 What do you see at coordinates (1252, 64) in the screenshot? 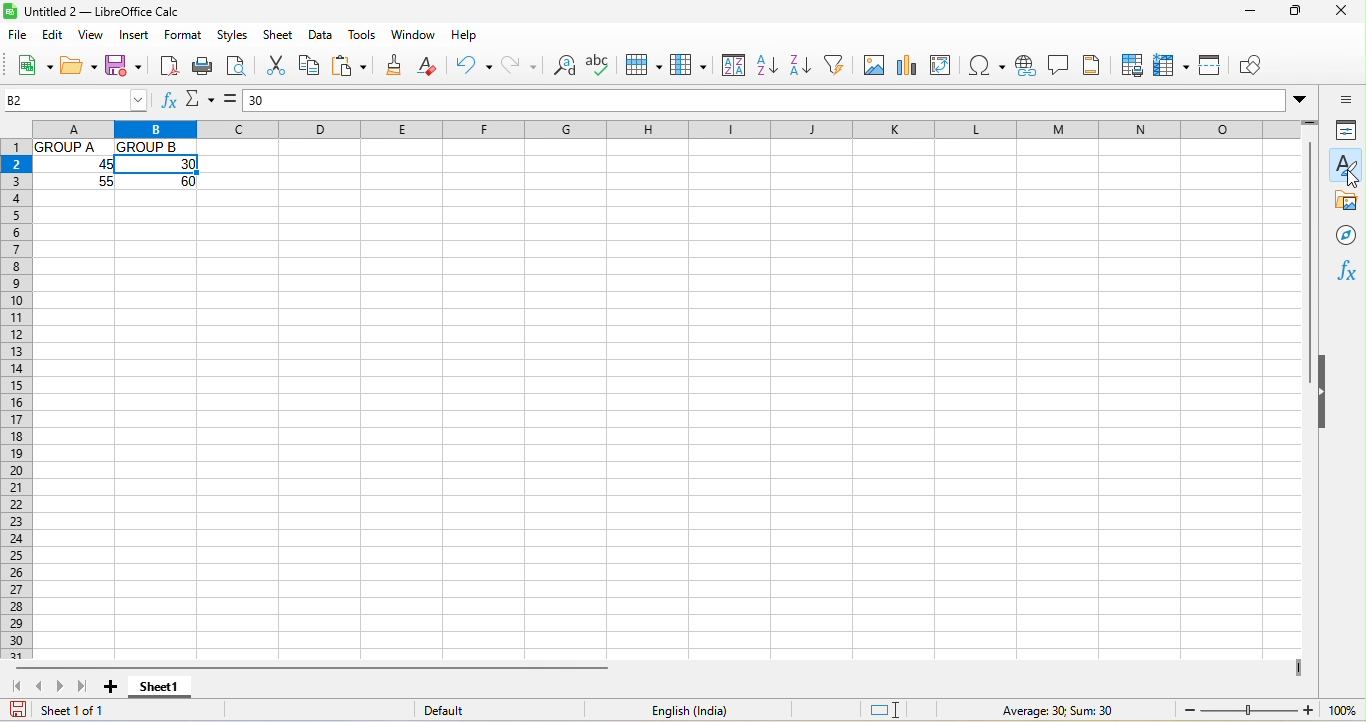
I see `show draw function` at bounding box center [1252, 64].